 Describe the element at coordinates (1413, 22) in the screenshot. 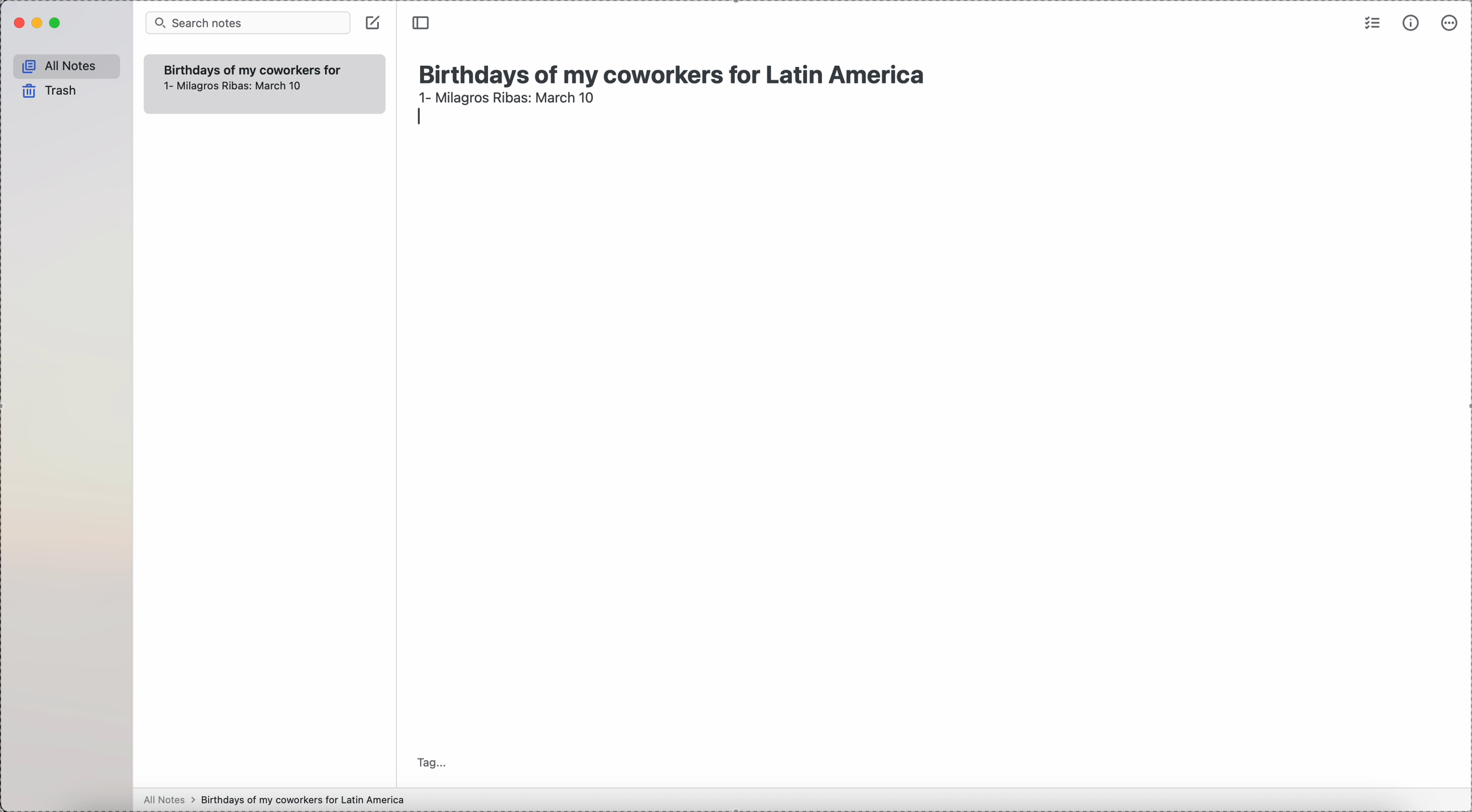

I see `metrics` at that location.